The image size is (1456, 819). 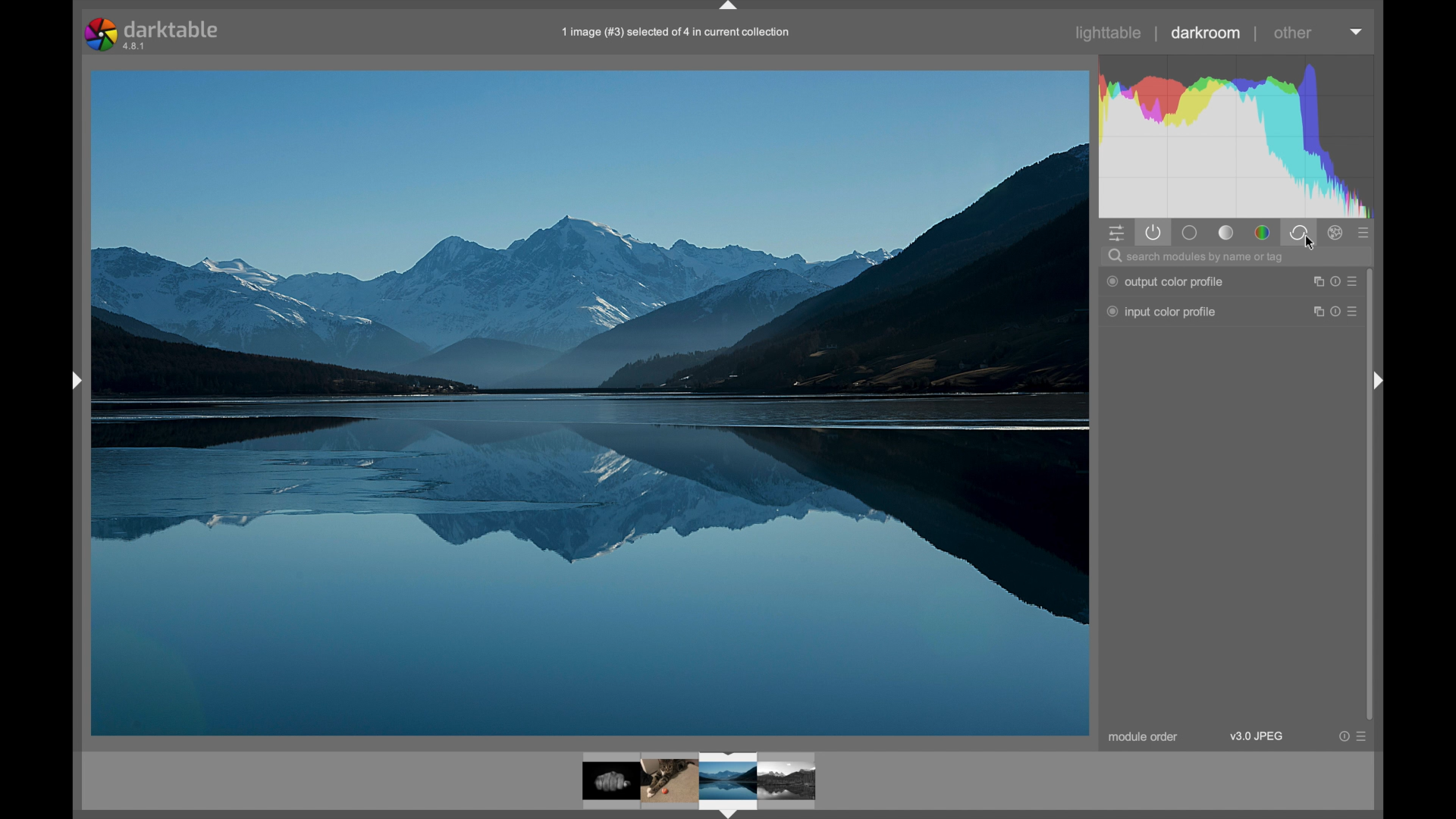 What do you see at coordinates (1379, 381) in the screenshot?
I see `drag handle` at bounding box center [1379, 381].